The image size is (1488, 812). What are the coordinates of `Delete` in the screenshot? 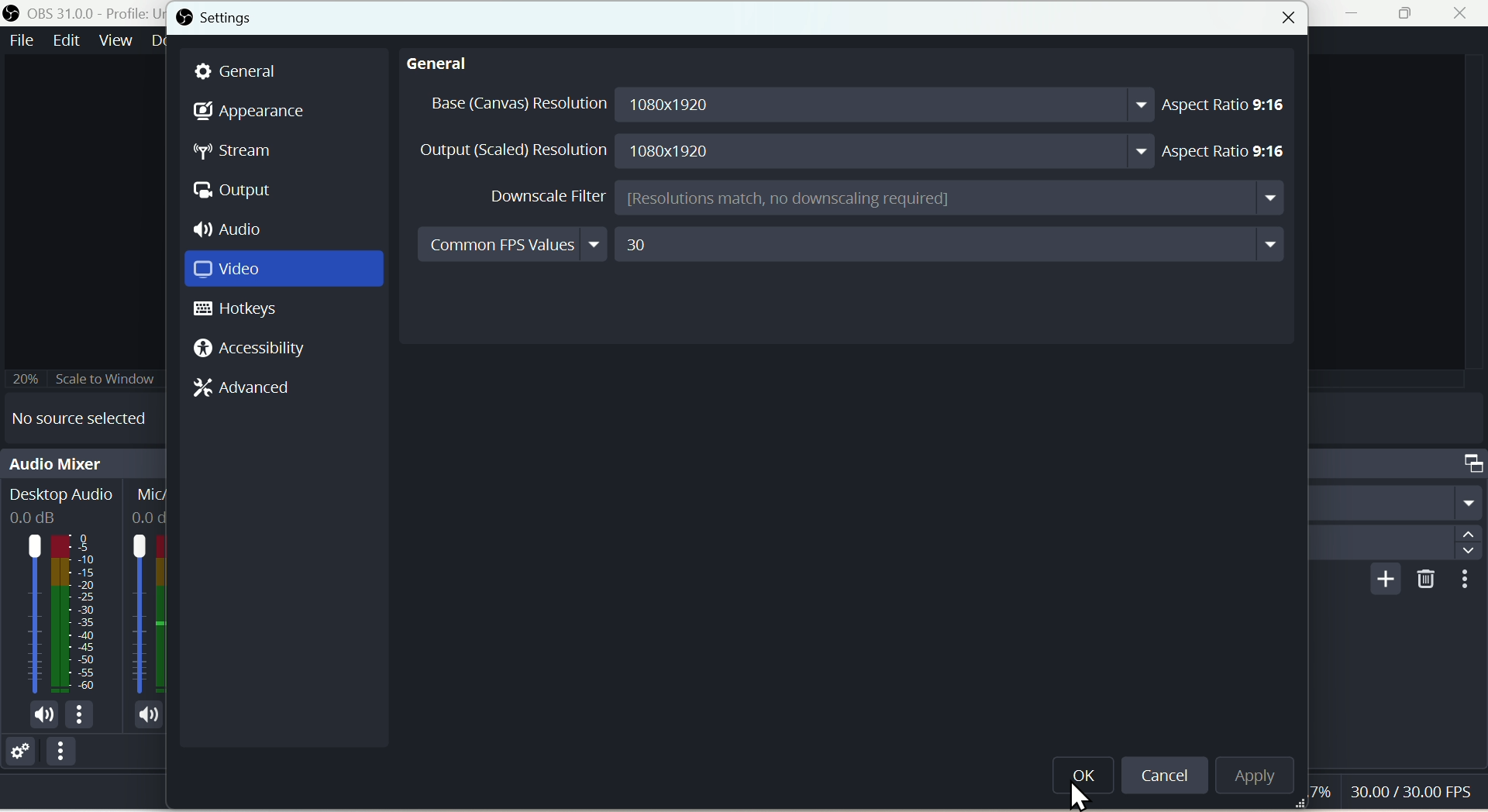 It's located at (1422, 580).